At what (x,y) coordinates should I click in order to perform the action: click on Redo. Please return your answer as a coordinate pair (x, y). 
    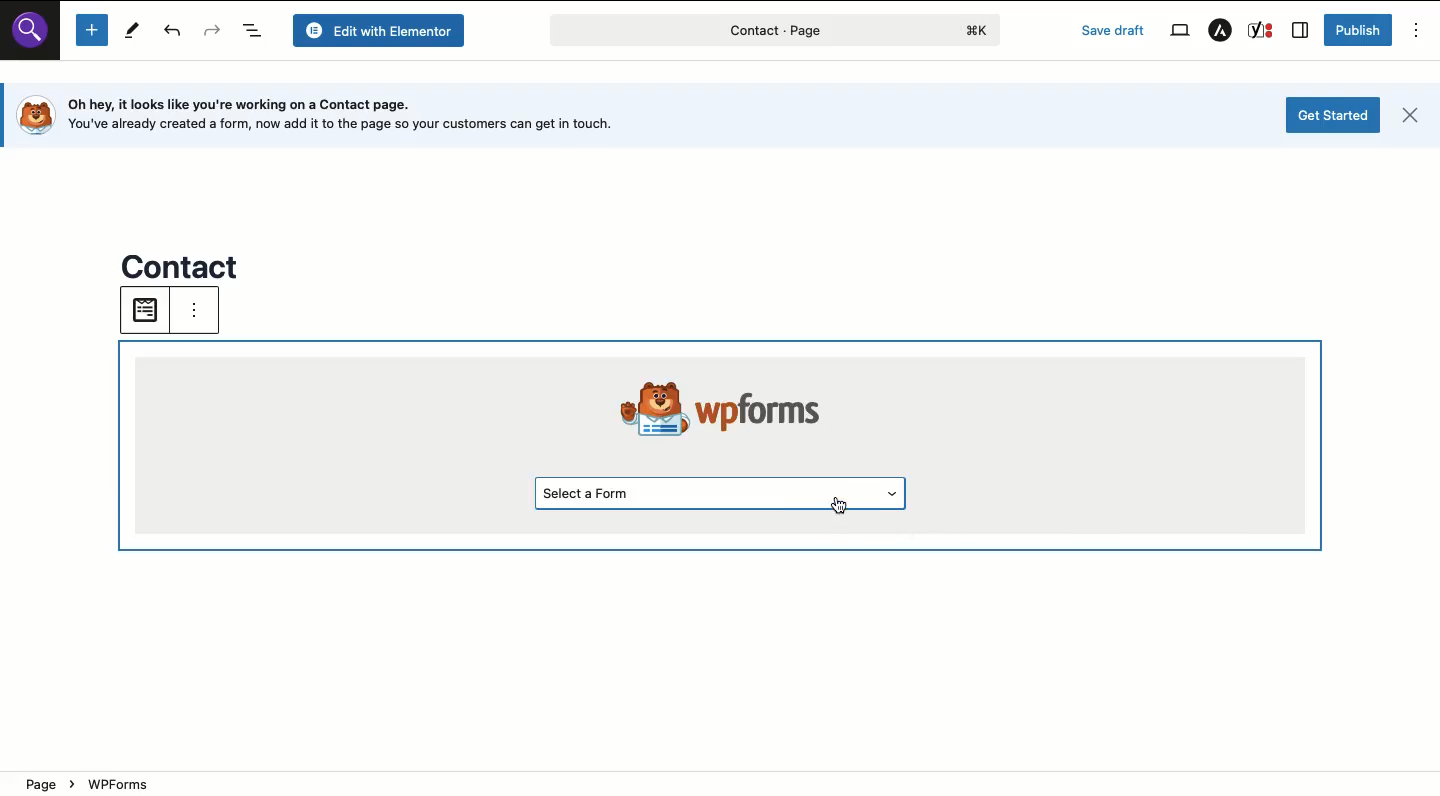
    Looking at the image, I should click on (213, 32).